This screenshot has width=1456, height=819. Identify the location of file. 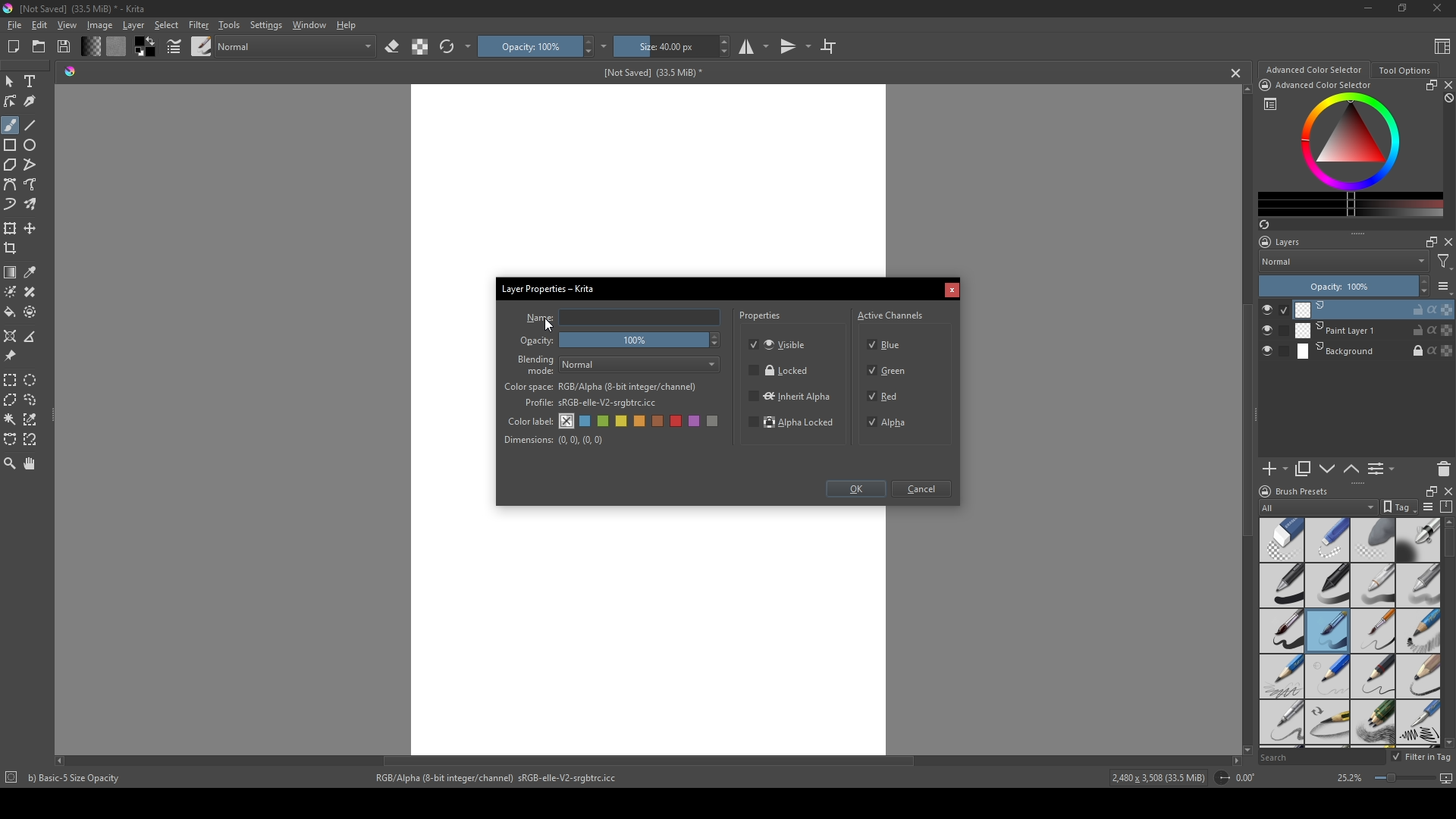
(14, 26).